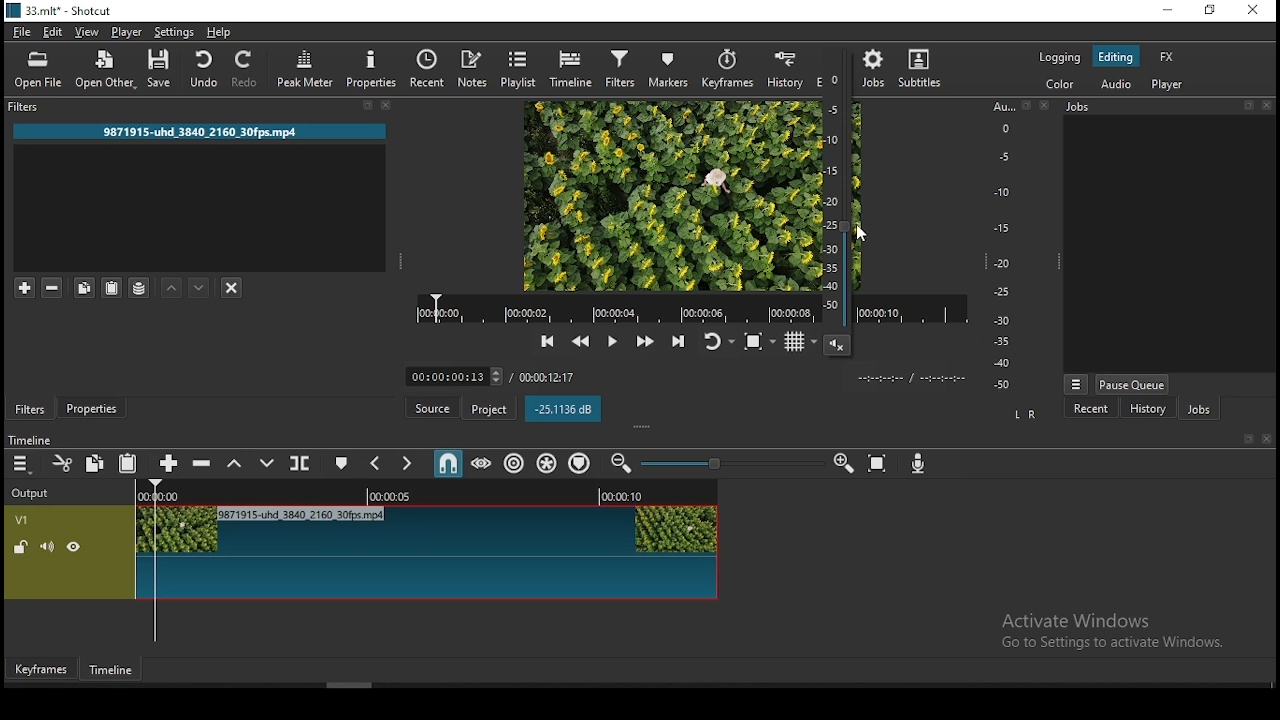 Image resolution: width=1280 pixels, height=720 pixels. What do you see at coordinates (267, 465) in the screenshot?
I see `overwrite` at bounding box center [267, 465].